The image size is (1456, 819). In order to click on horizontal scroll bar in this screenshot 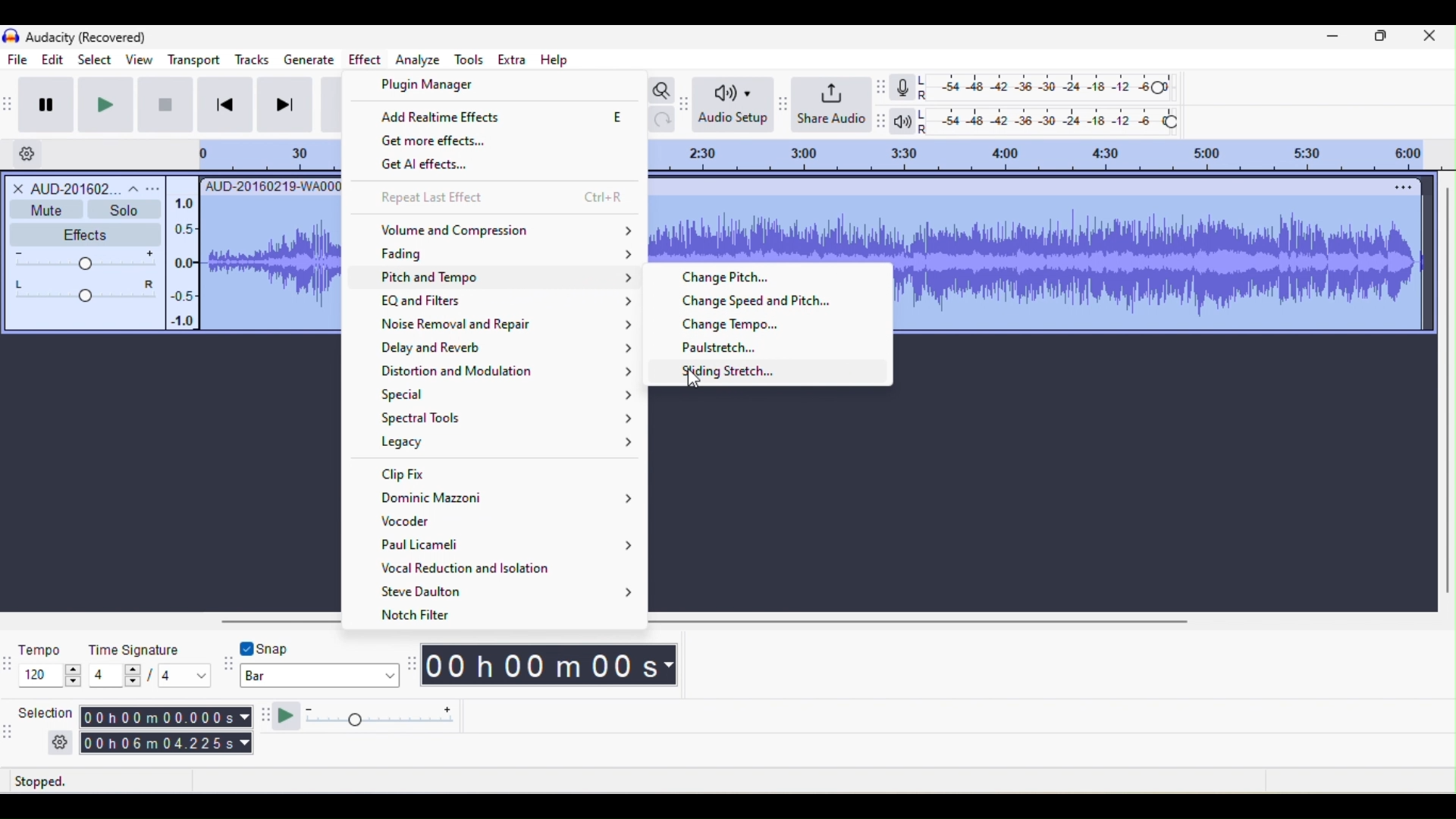, I will do `click(936, 621)`.